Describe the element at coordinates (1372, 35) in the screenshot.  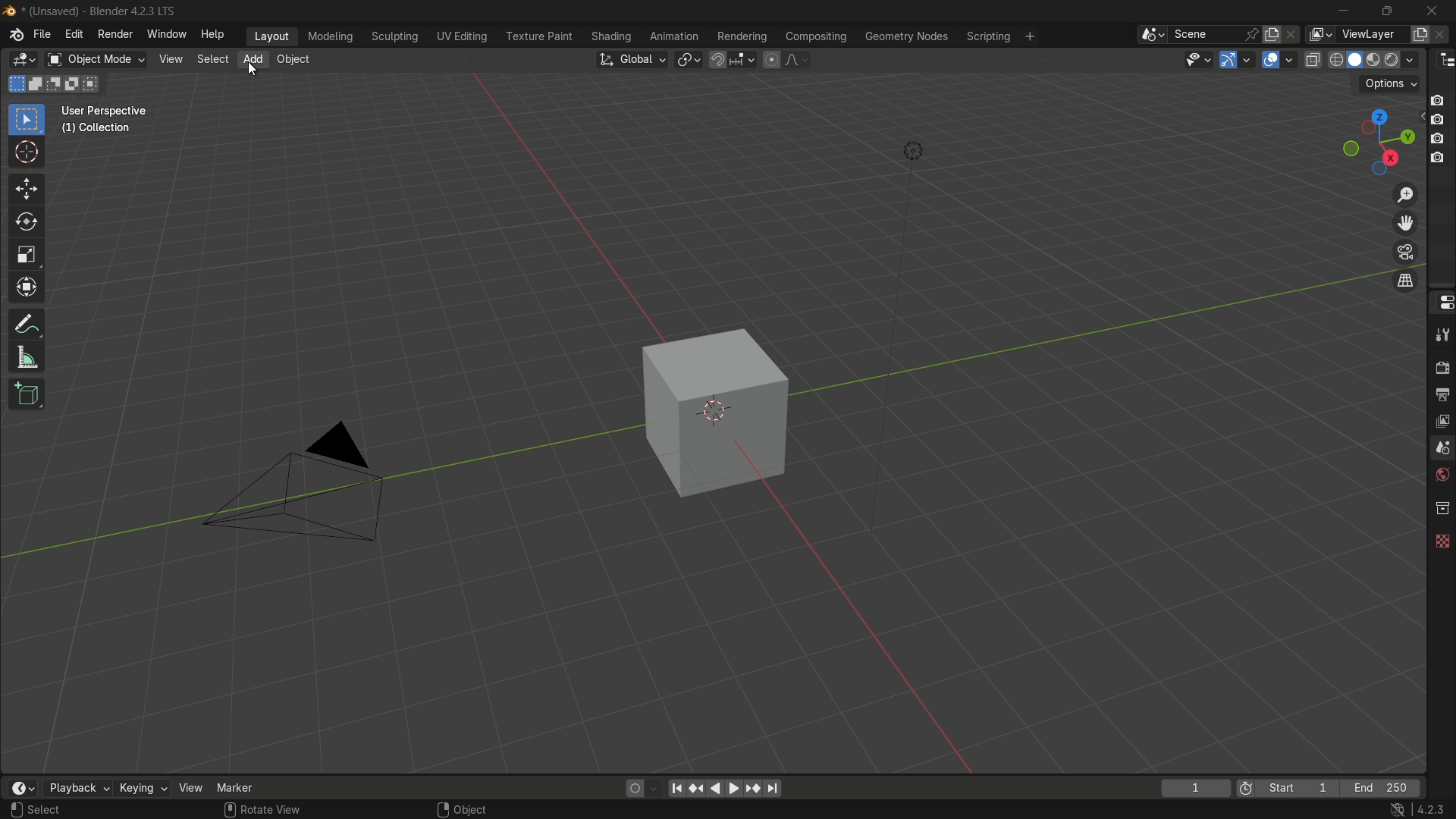
I see `view layer name` at that location.